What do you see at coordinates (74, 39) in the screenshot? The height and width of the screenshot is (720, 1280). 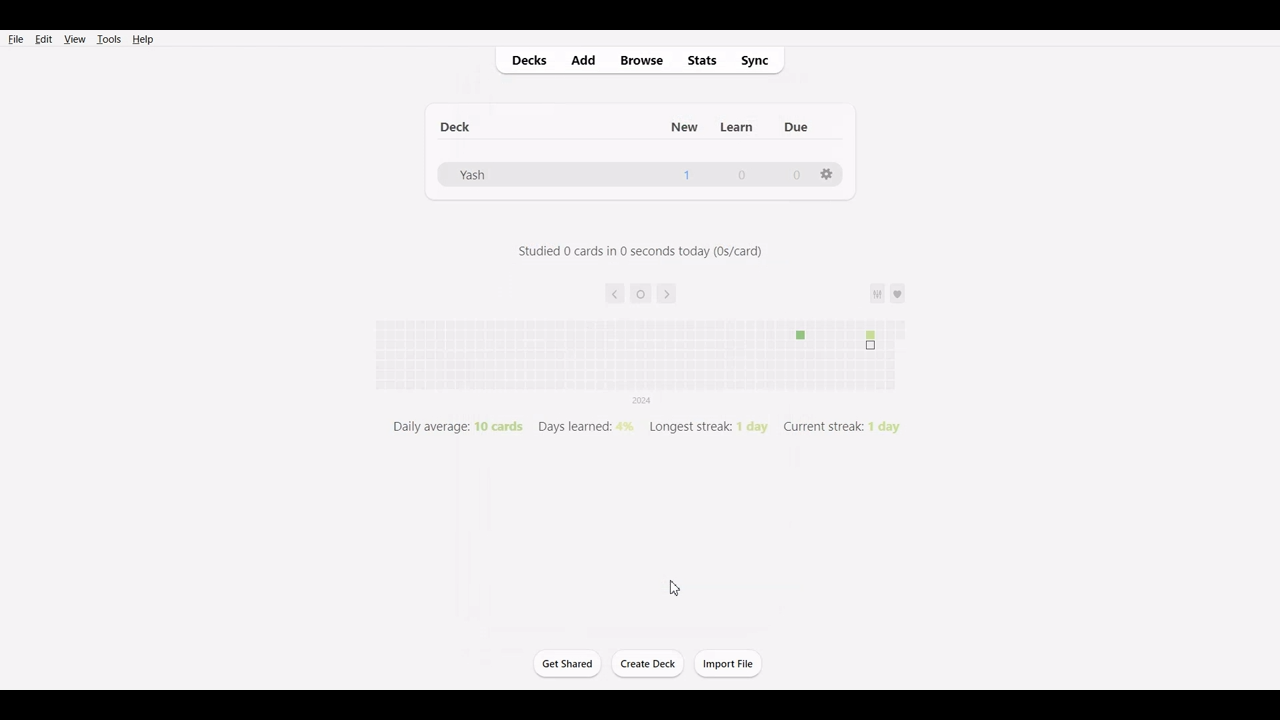 I see `View` at bounding box center [74, 39].